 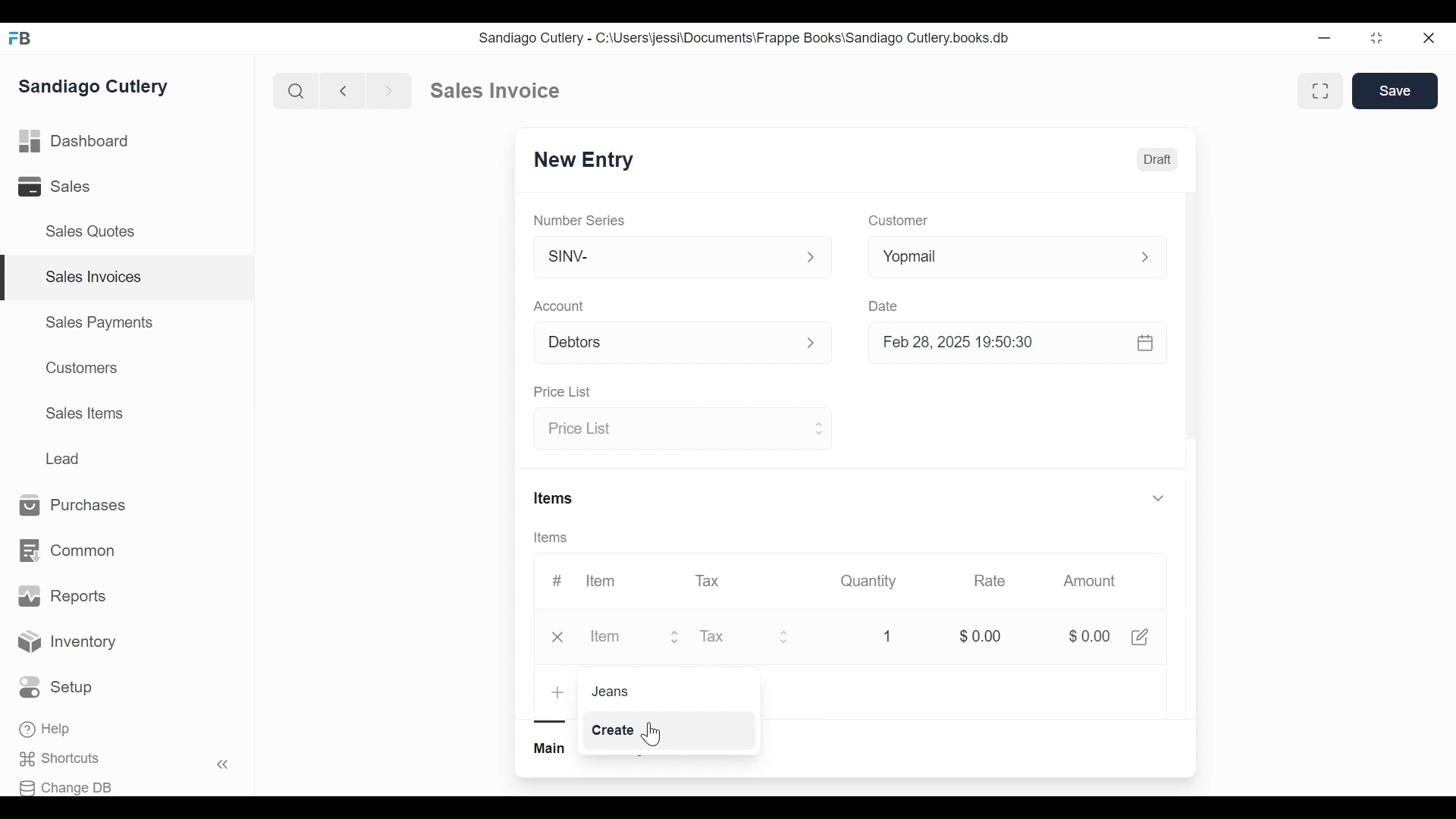 I want to click on Feb 28, 2025 19:50:30 &, so click(x=1021, y=344).